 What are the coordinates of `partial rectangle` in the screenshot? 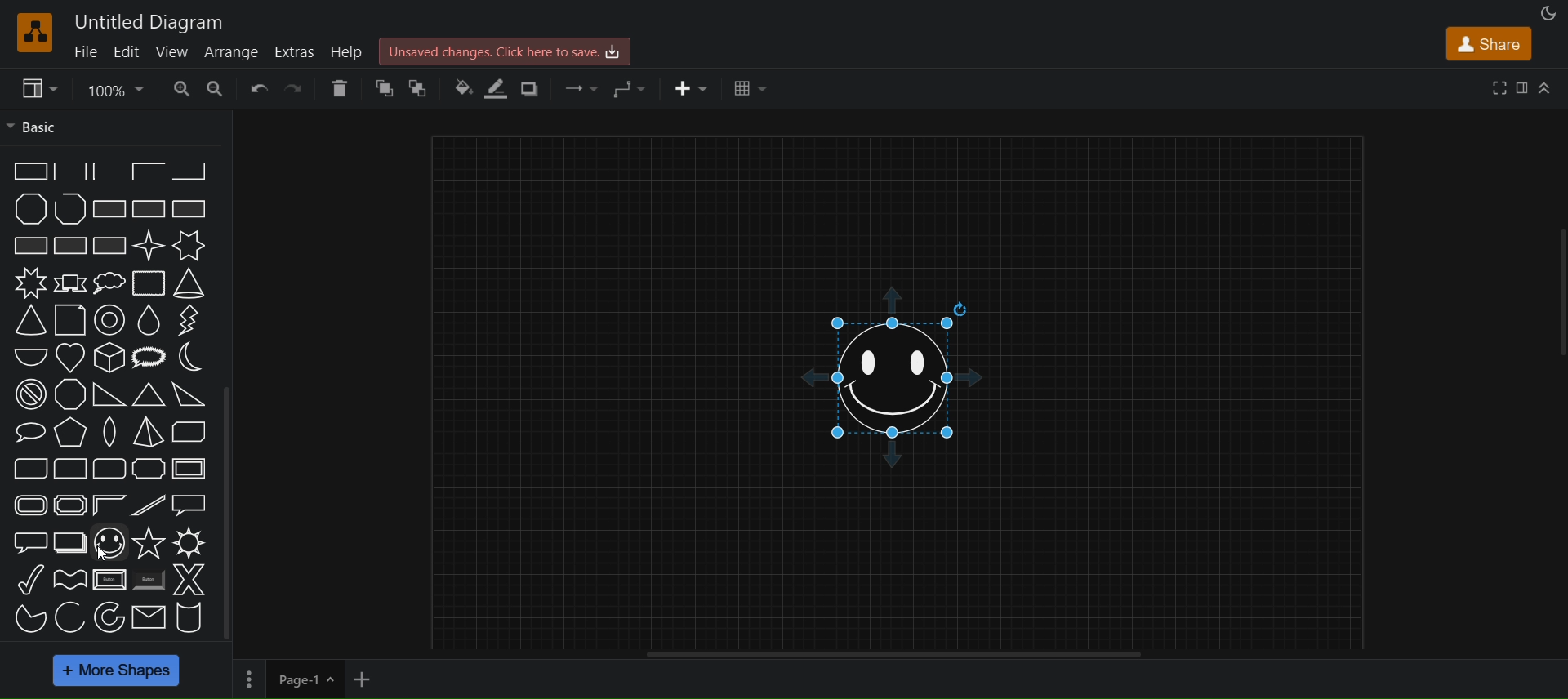 It's located at (147, 171).